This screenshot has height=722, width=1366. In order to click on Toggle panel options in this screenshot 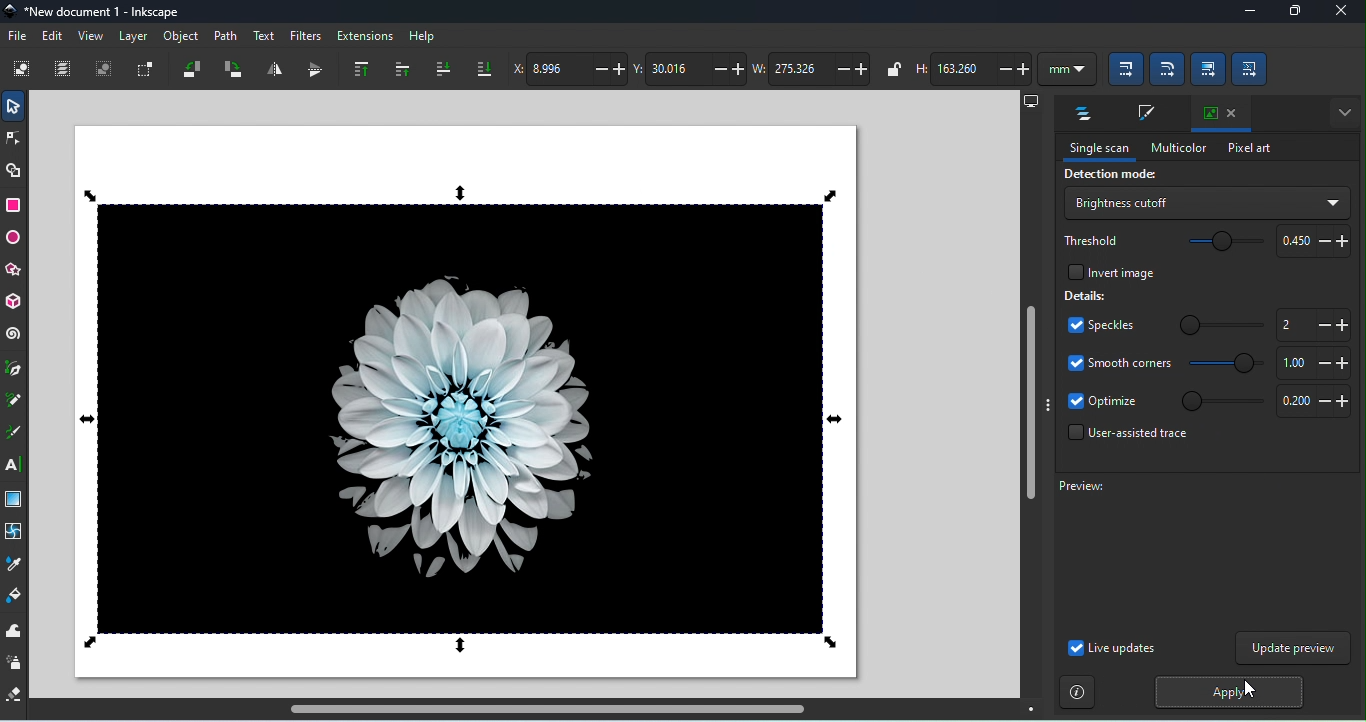, I will do `click(1341, 111)`.